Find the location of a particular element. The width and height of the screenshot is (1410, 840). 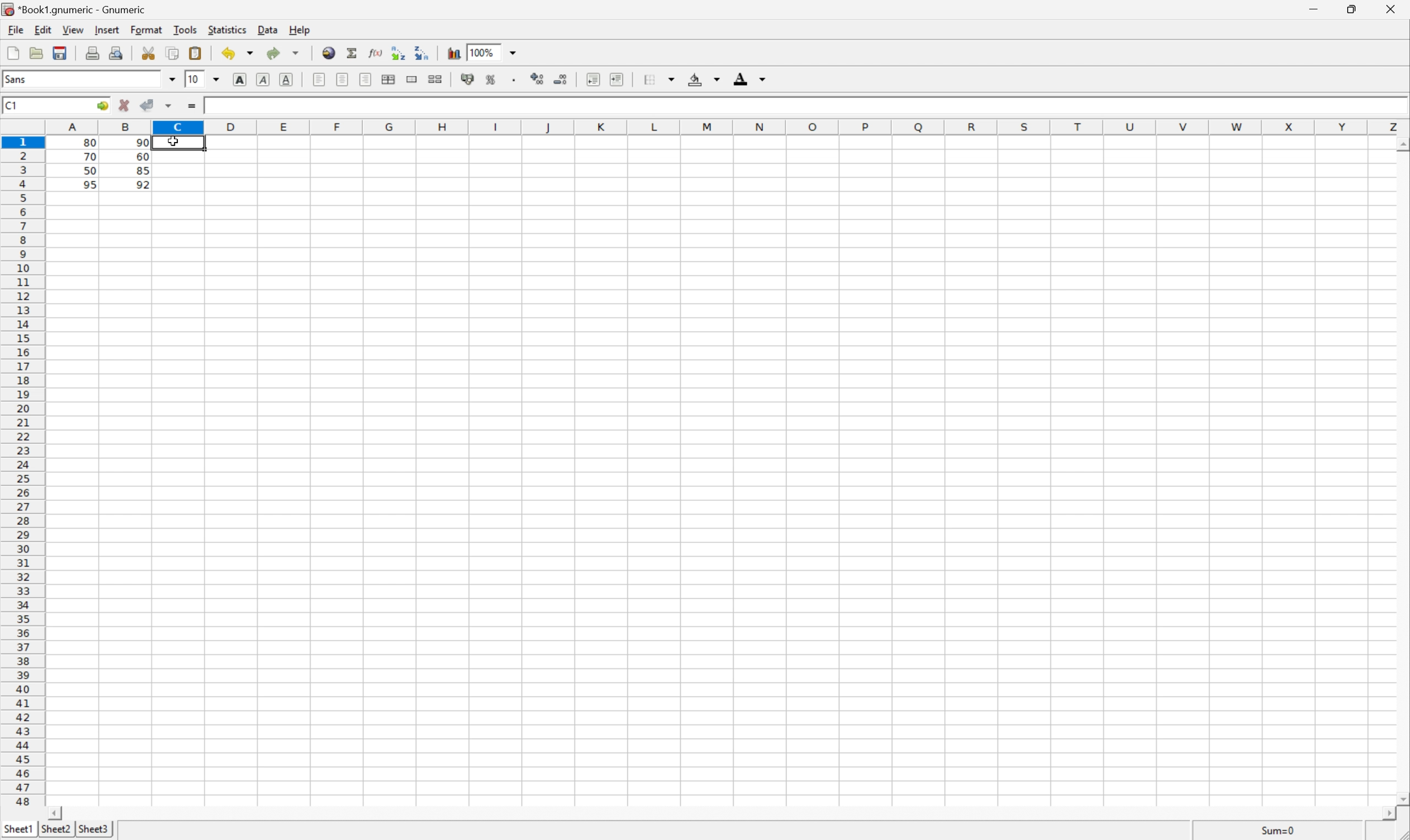

Edit a function in the current cell is located at coordinates (376, 54).